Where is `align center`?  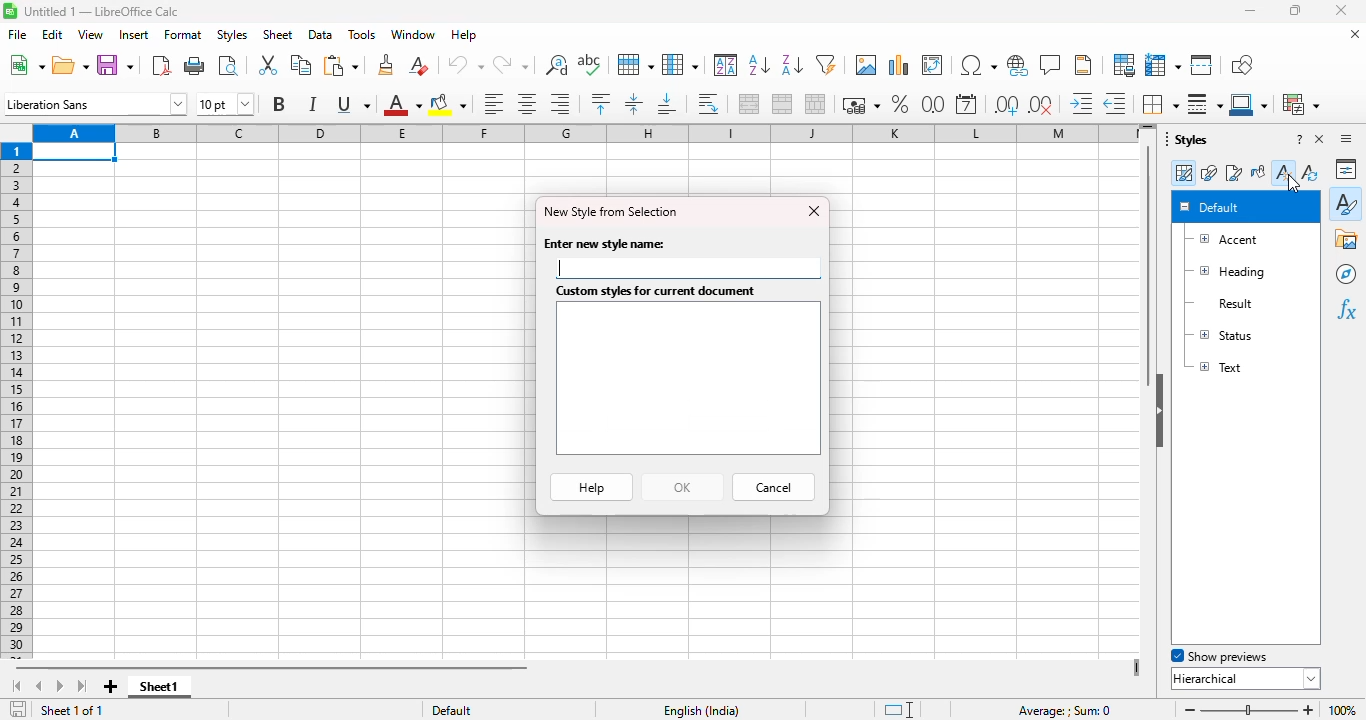 align center is located at coordinates (527, 104).